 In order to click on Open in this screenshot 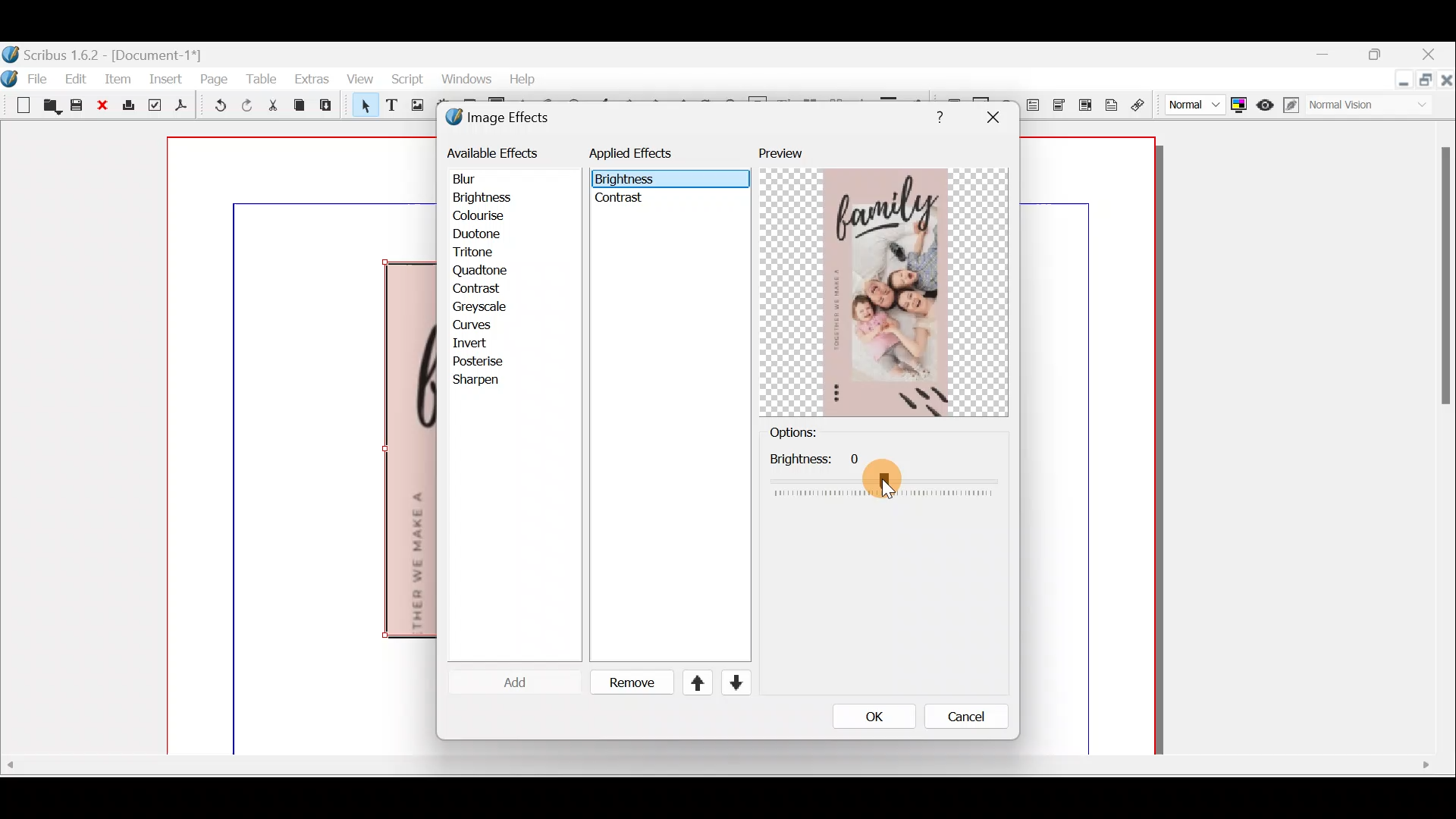, I will do `click(49, 108)`.